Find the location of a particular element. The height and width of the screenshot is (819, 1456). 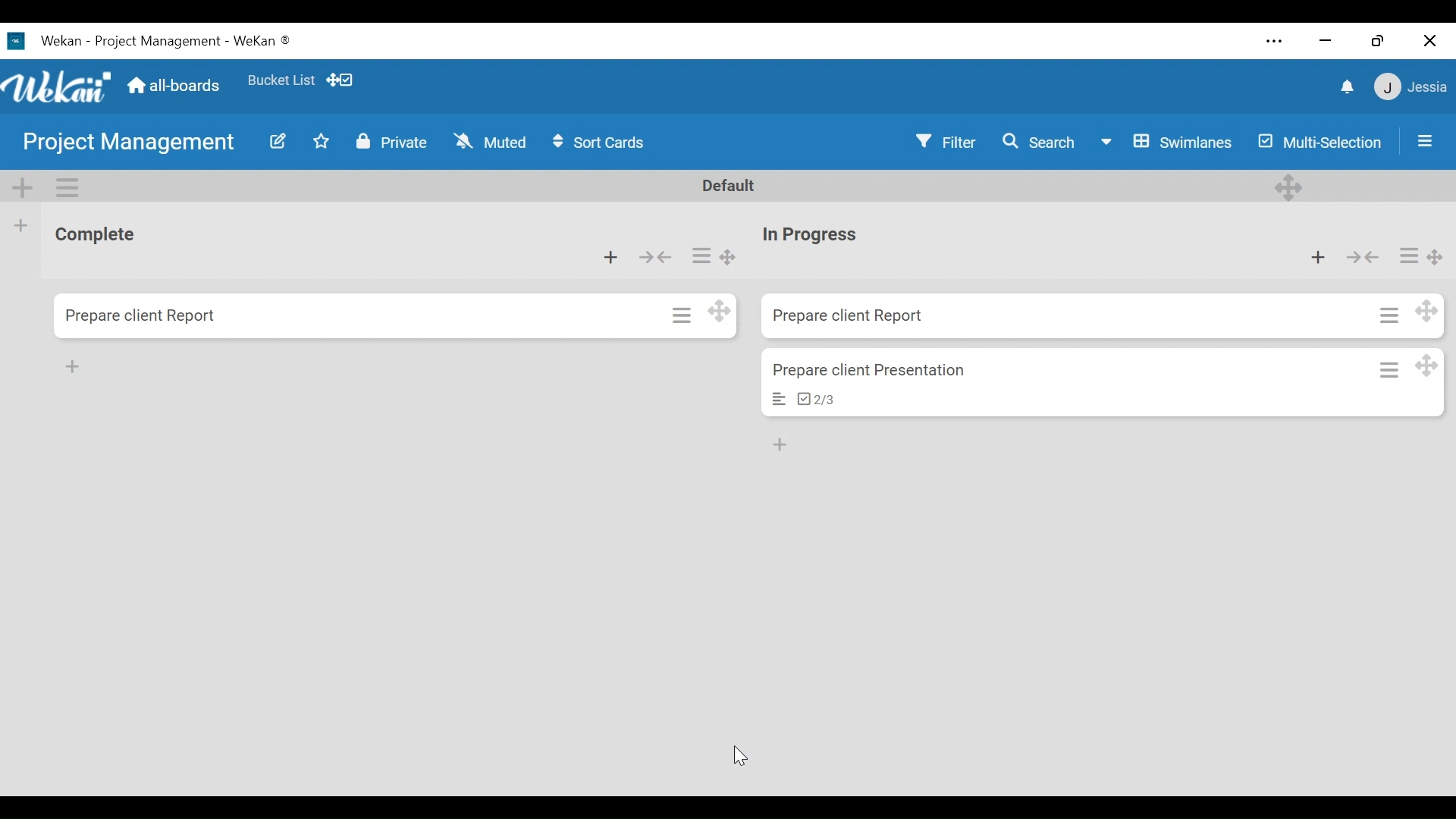

Restore is located at coordinates (1380, 39).